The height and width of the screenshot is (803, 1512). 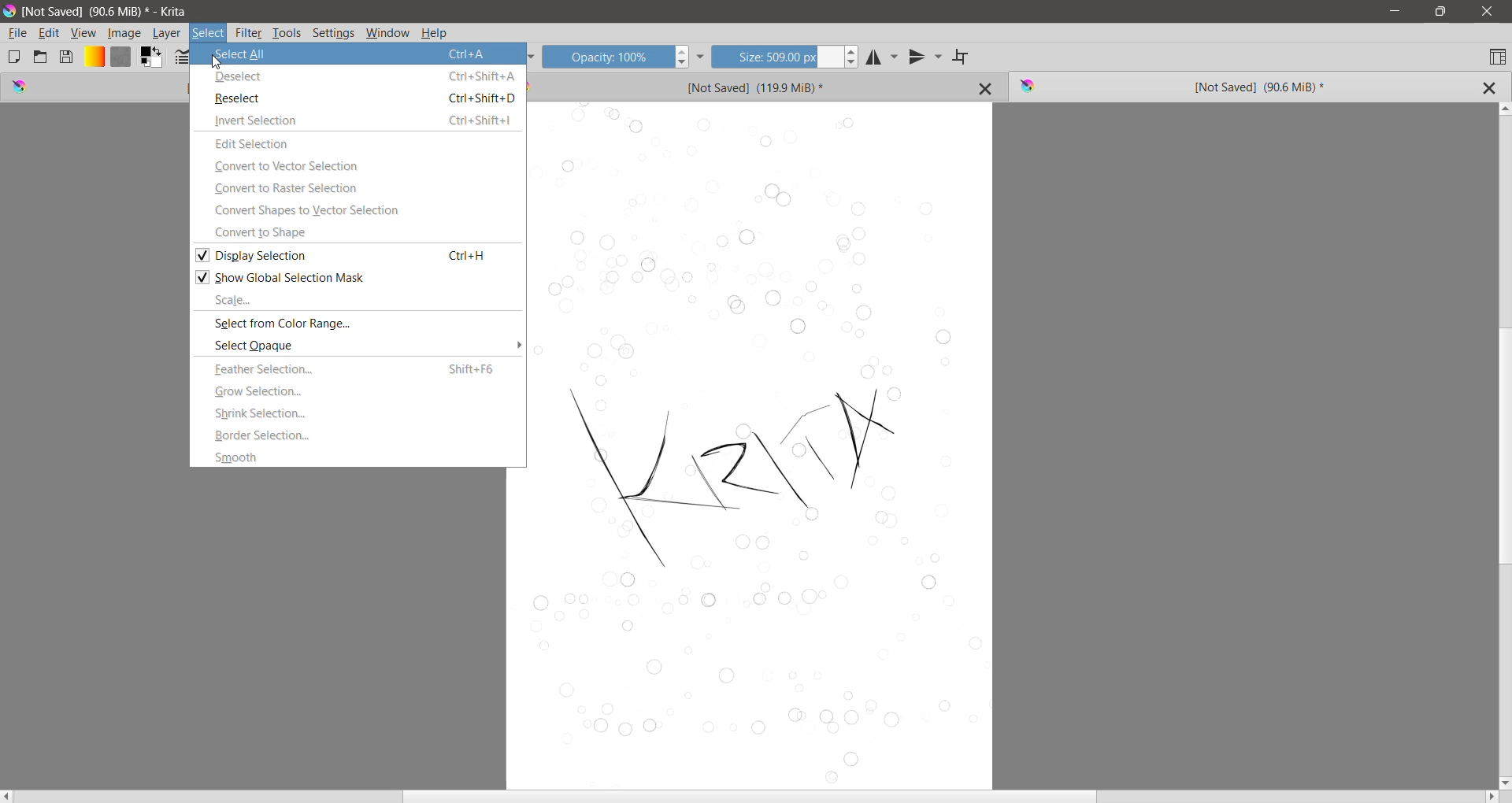 What do you see at coordinates (152, 57) in the screenshot?
I see `Foreground and Background Color Selector` at bounding box center [152, 57].